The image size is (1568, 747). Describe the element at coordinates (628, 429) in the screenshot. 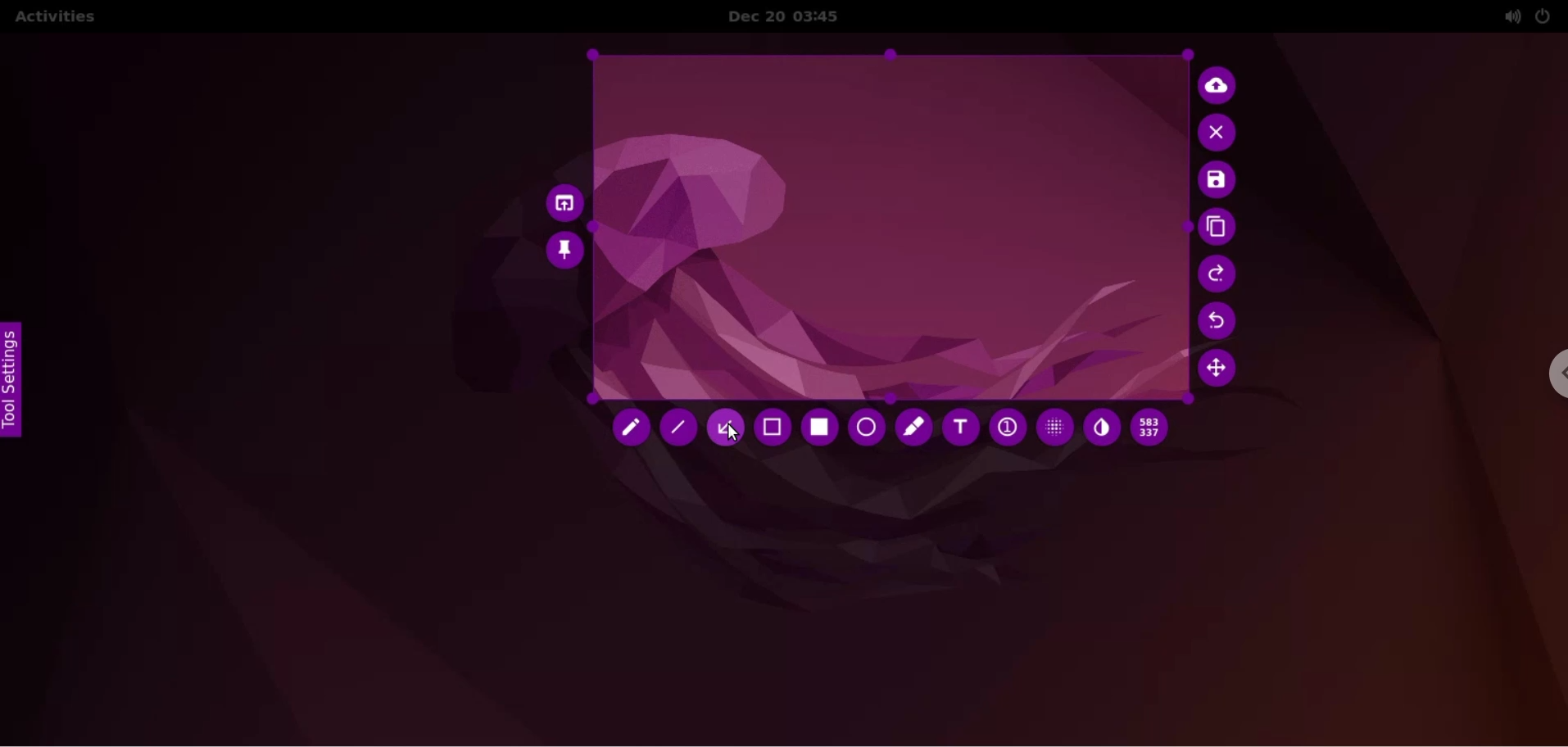

I see `pencil` at that location.